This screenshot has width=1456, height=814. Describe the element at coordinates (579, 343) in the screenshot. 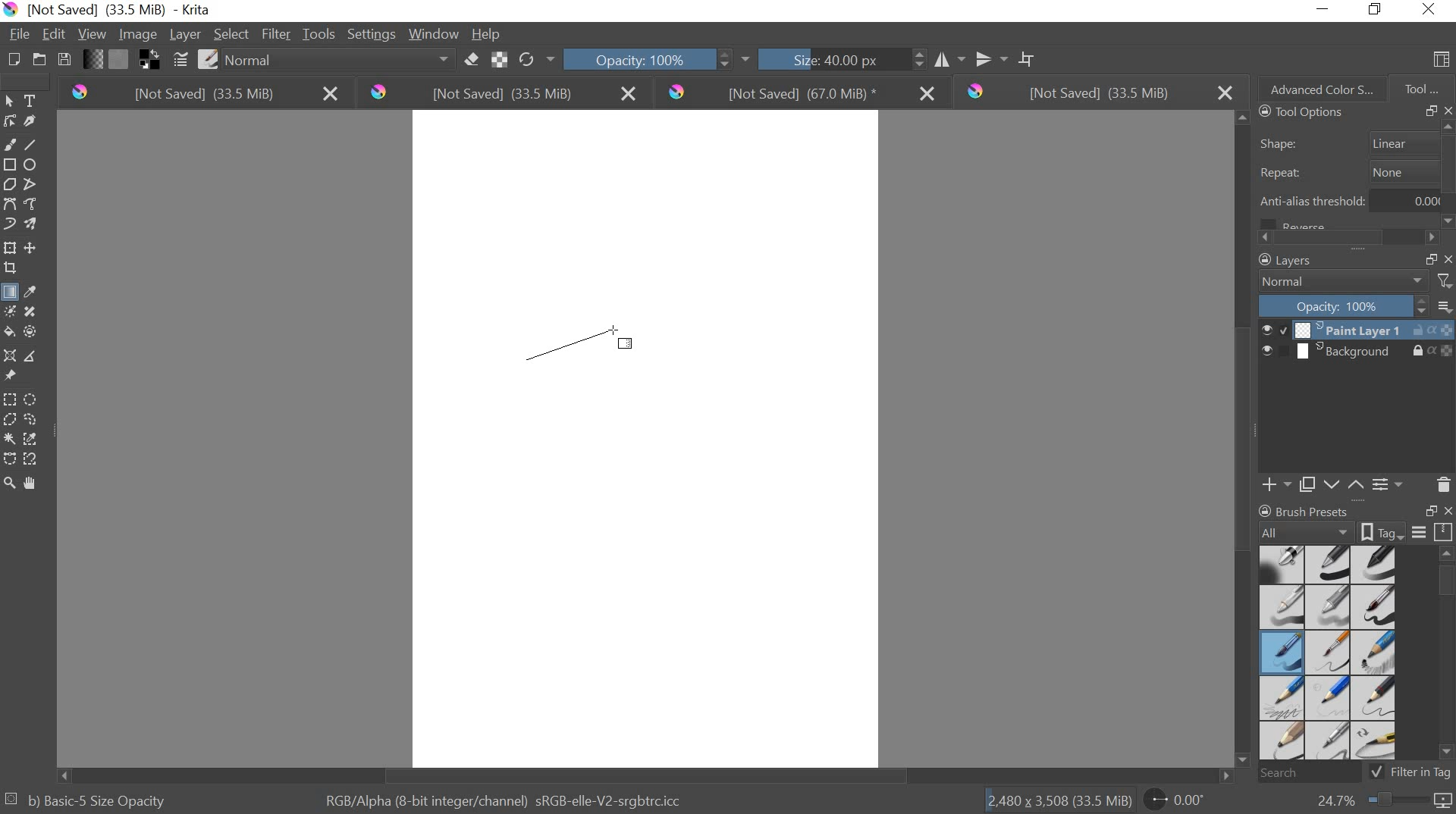

I see `GRADIENT LINE with cursor` at that location.